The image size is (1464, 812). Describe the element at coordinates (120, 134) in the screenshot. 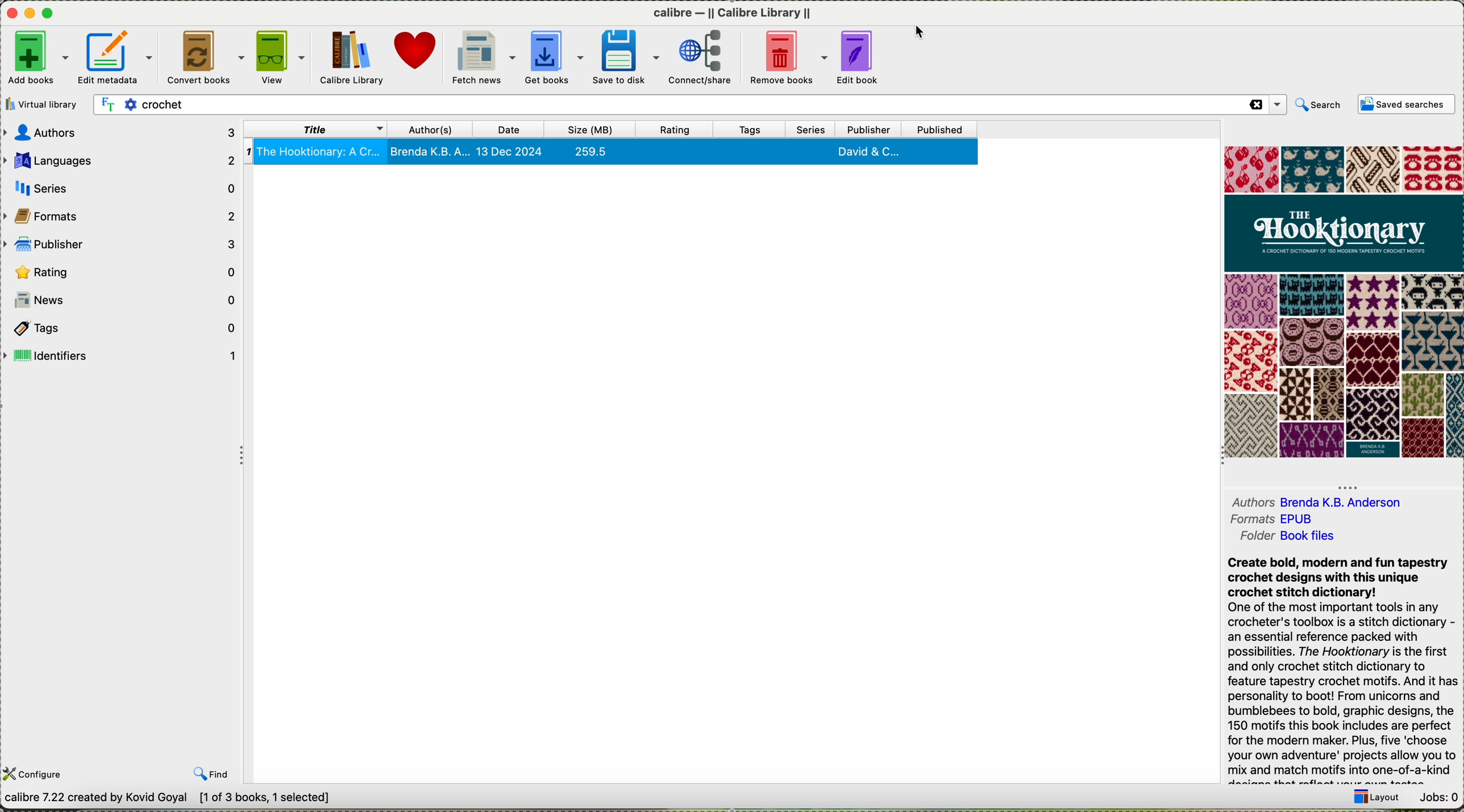

I see `authors` at that location.